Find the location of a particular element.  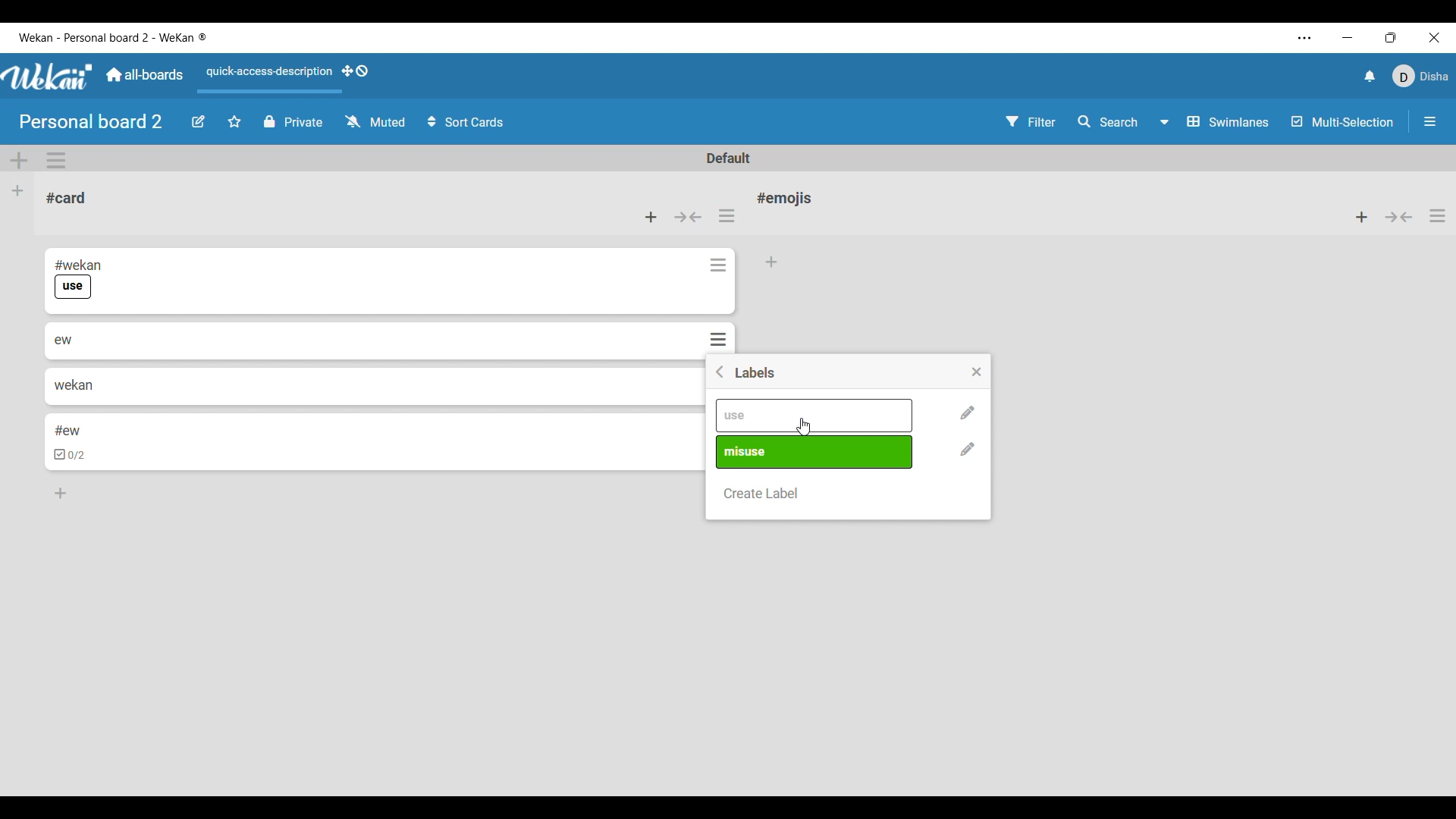

Swimlanes and other board view options is located at coordinates (1213, 121).